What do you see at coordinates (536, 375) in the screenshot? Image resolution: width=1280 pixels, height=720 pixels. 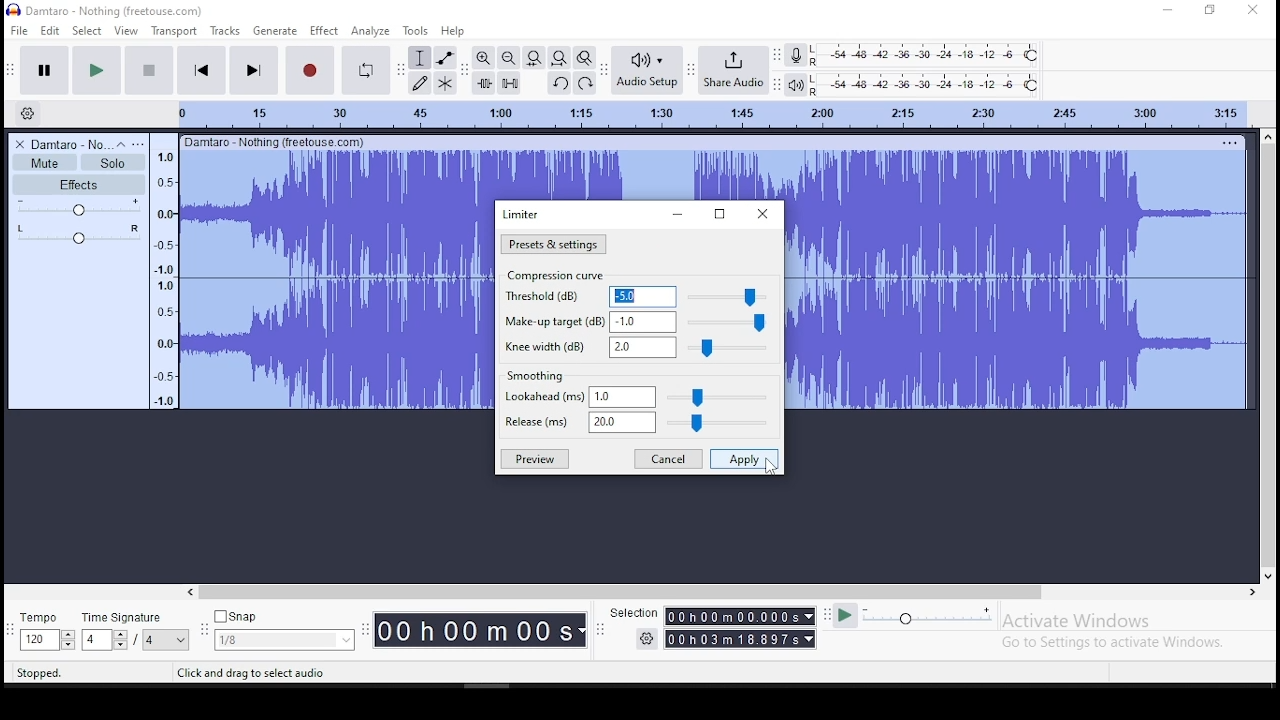 I see `smoothing` at bounding box center [536, 375].